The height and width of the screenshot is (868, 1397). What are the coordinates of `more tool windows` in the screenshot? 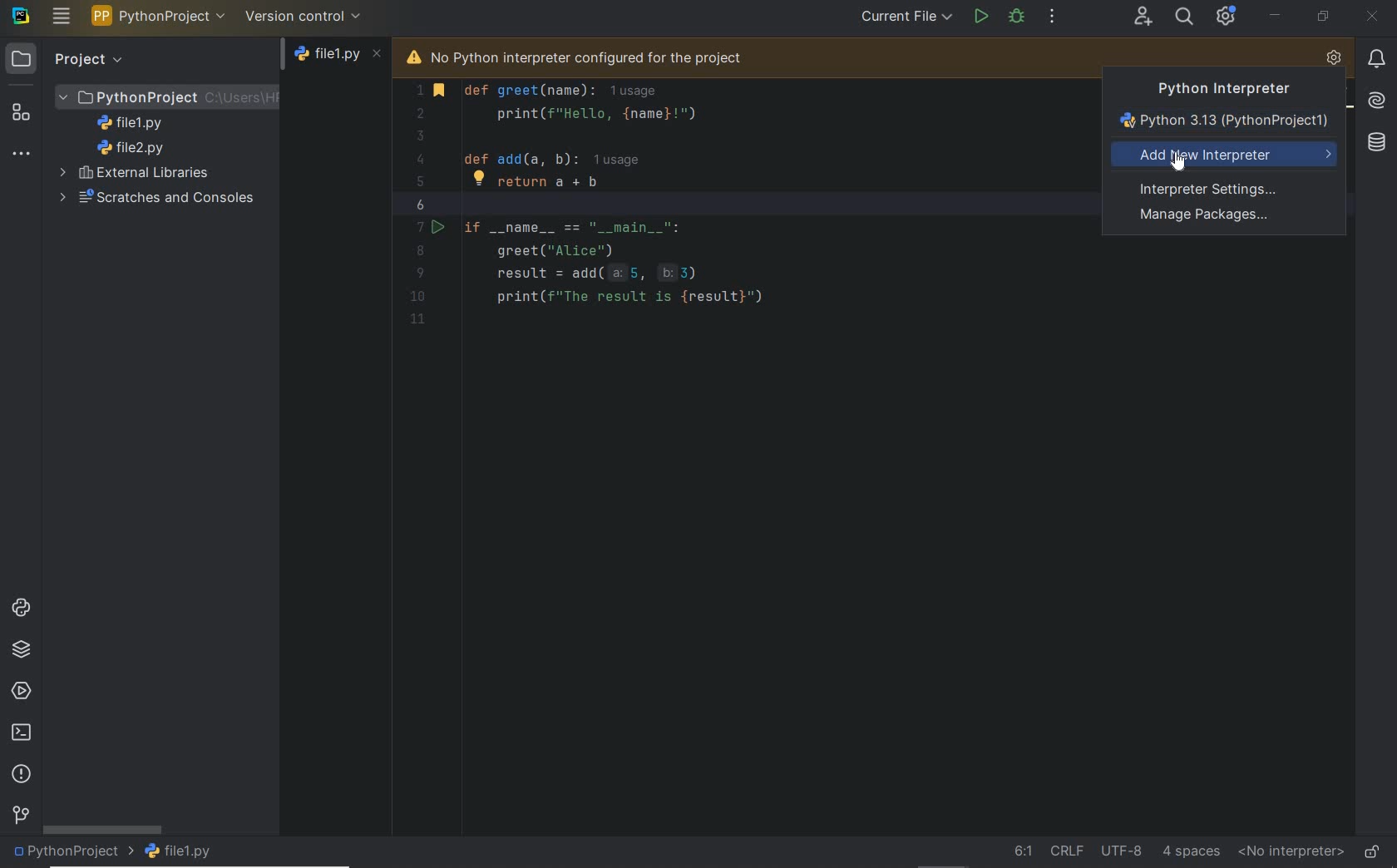 It's located at (21, 155).